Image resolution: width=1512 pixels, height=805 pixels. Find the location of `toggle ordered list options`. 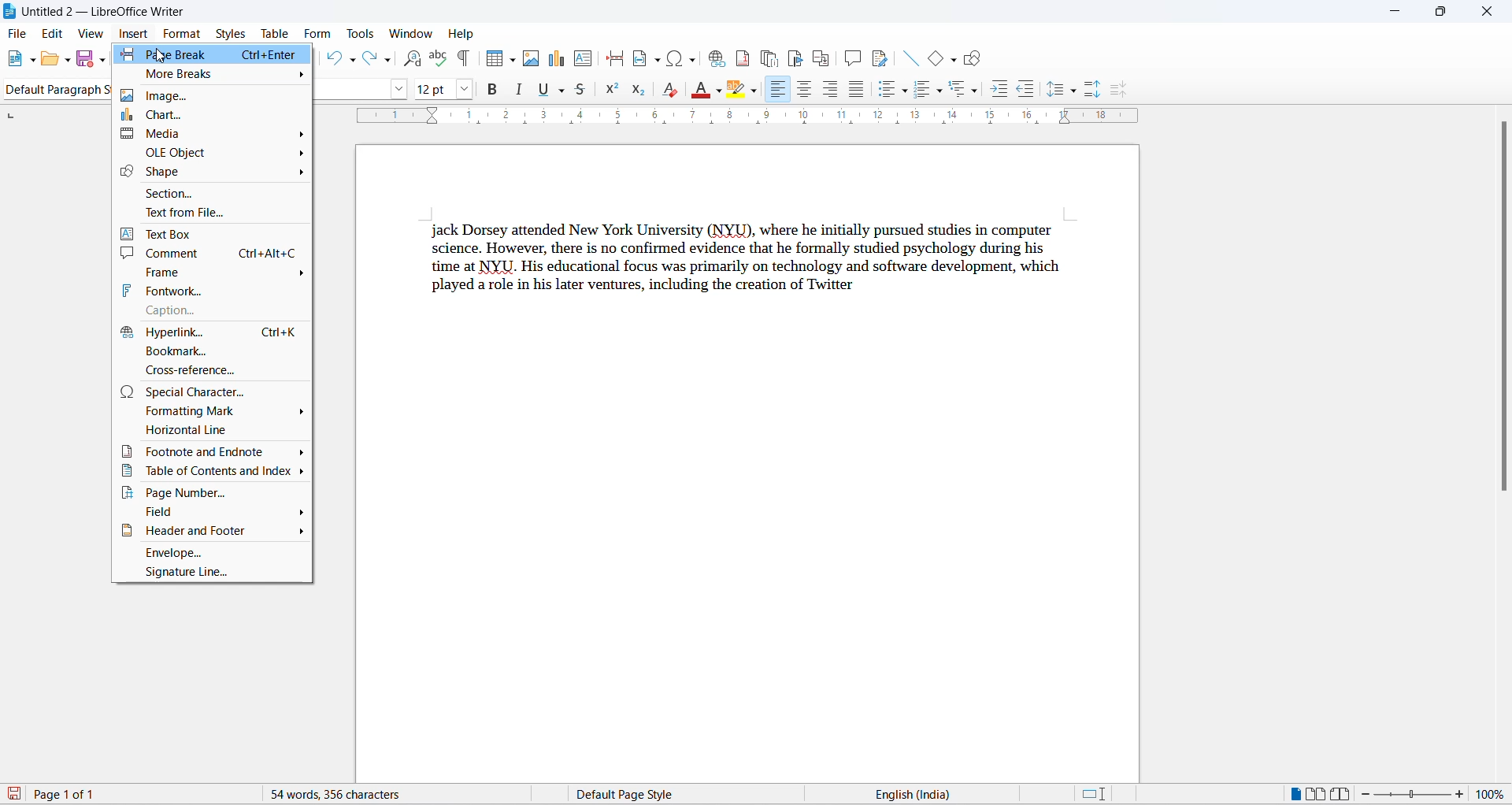

toggle ordered list options is located at coordinates (943, 95).